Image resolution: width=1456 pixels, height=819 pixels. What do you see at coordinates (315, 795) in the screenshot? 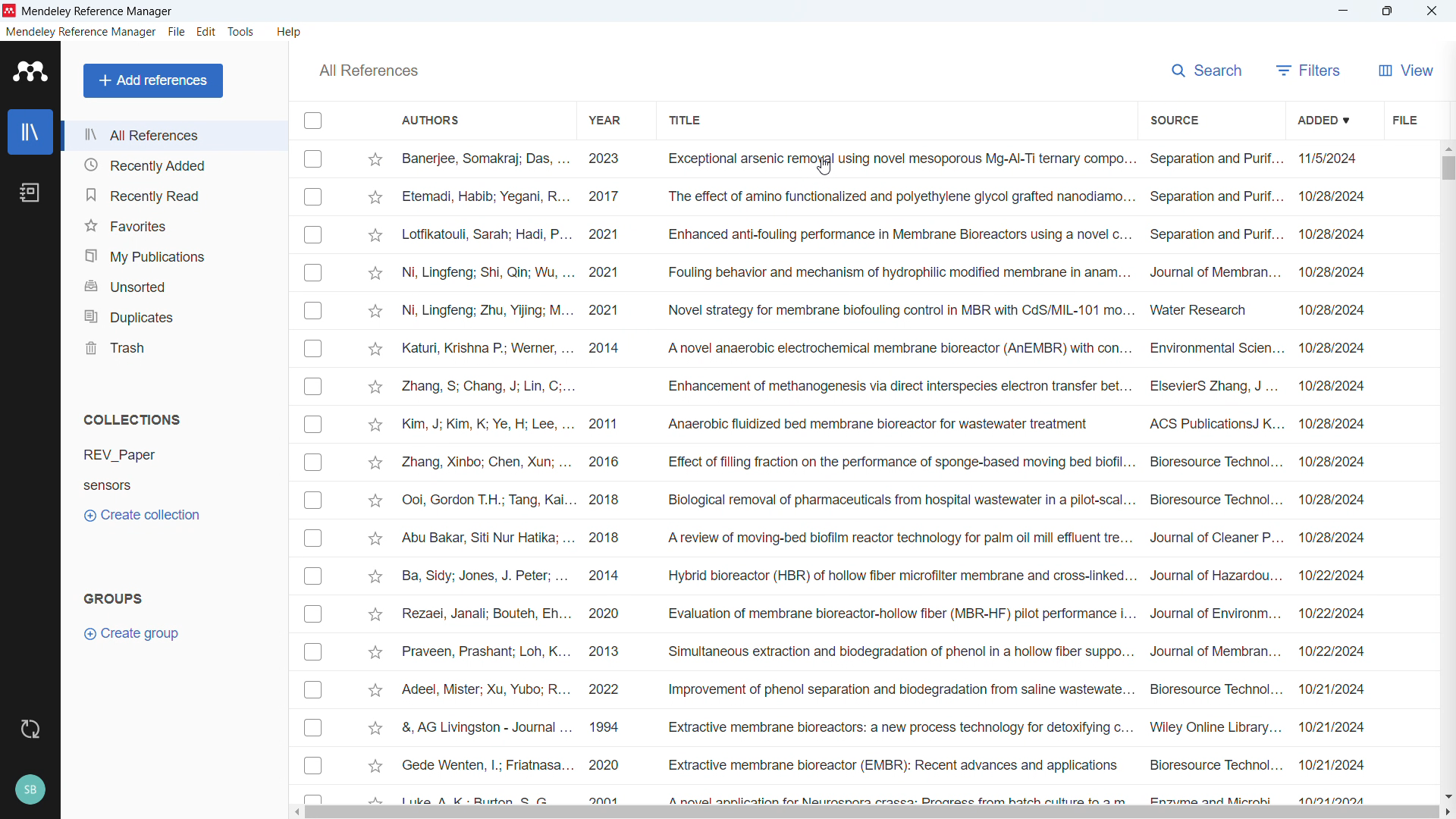
I see `click to select individual entry` at bounding box center [315, 795].